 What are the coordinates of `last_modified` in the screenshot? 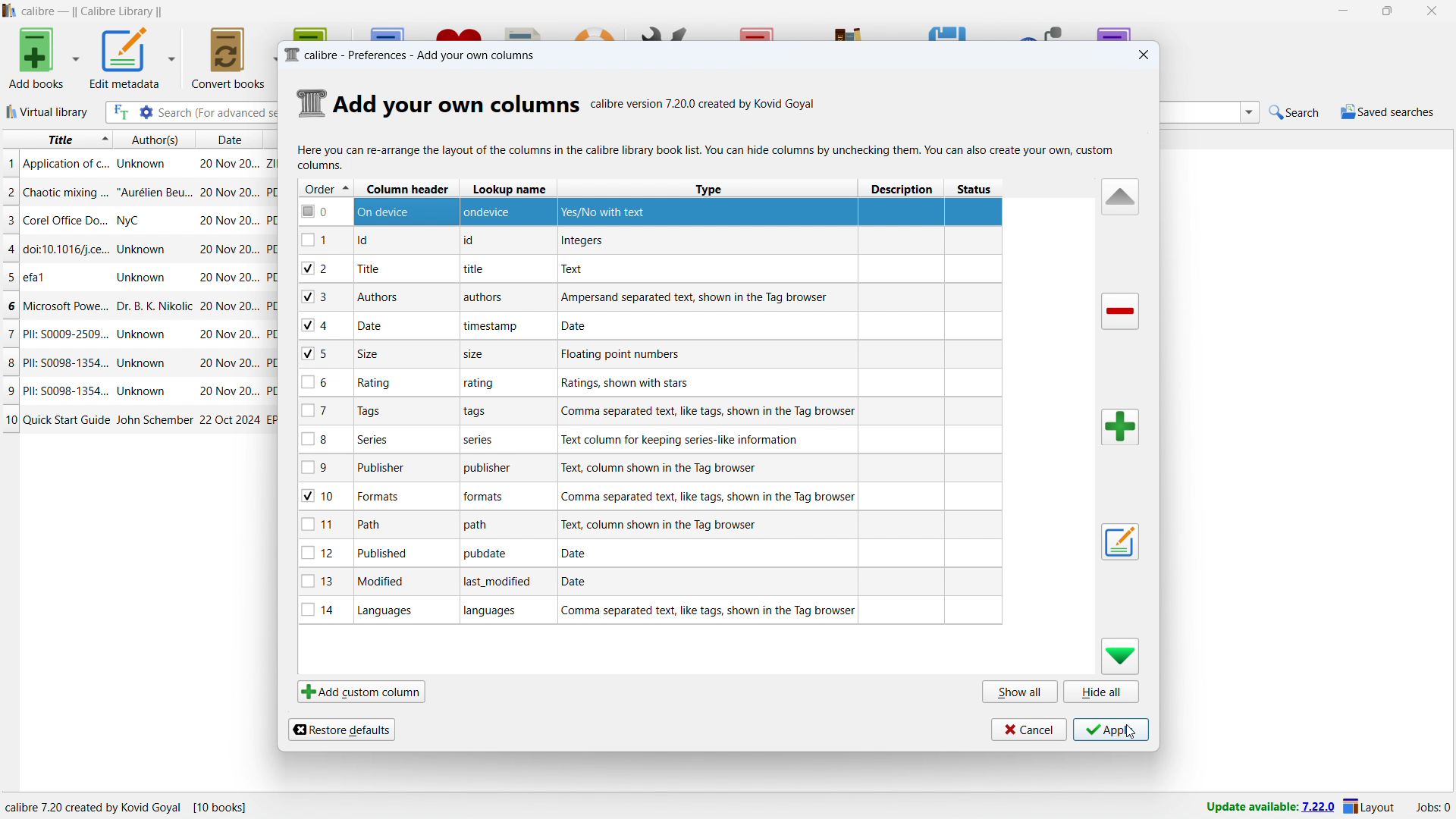 It's located at (500, 583).